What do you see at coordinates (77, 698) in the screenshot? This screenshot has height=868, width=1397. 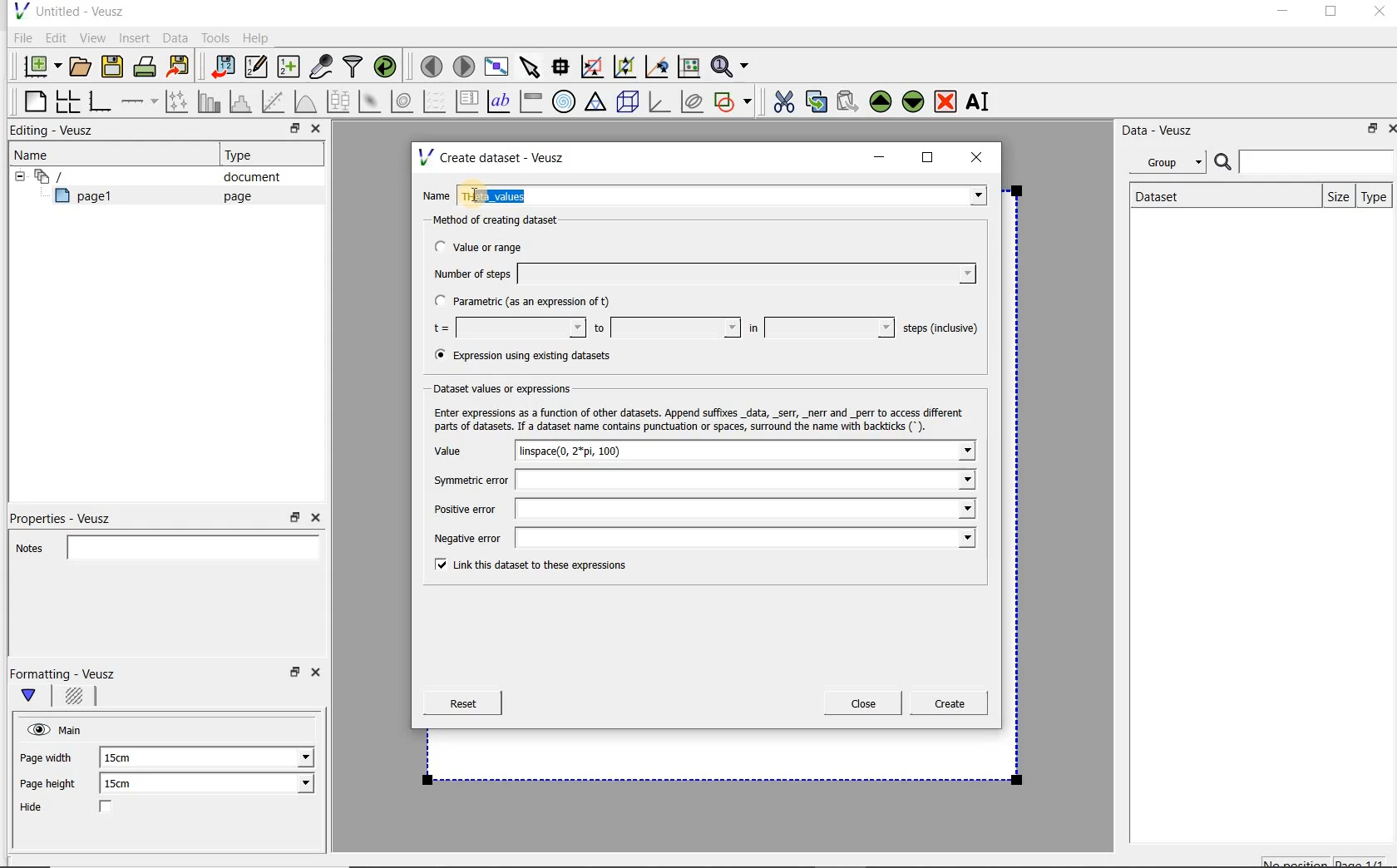 I see `Background` at bounding box center [77, 698].